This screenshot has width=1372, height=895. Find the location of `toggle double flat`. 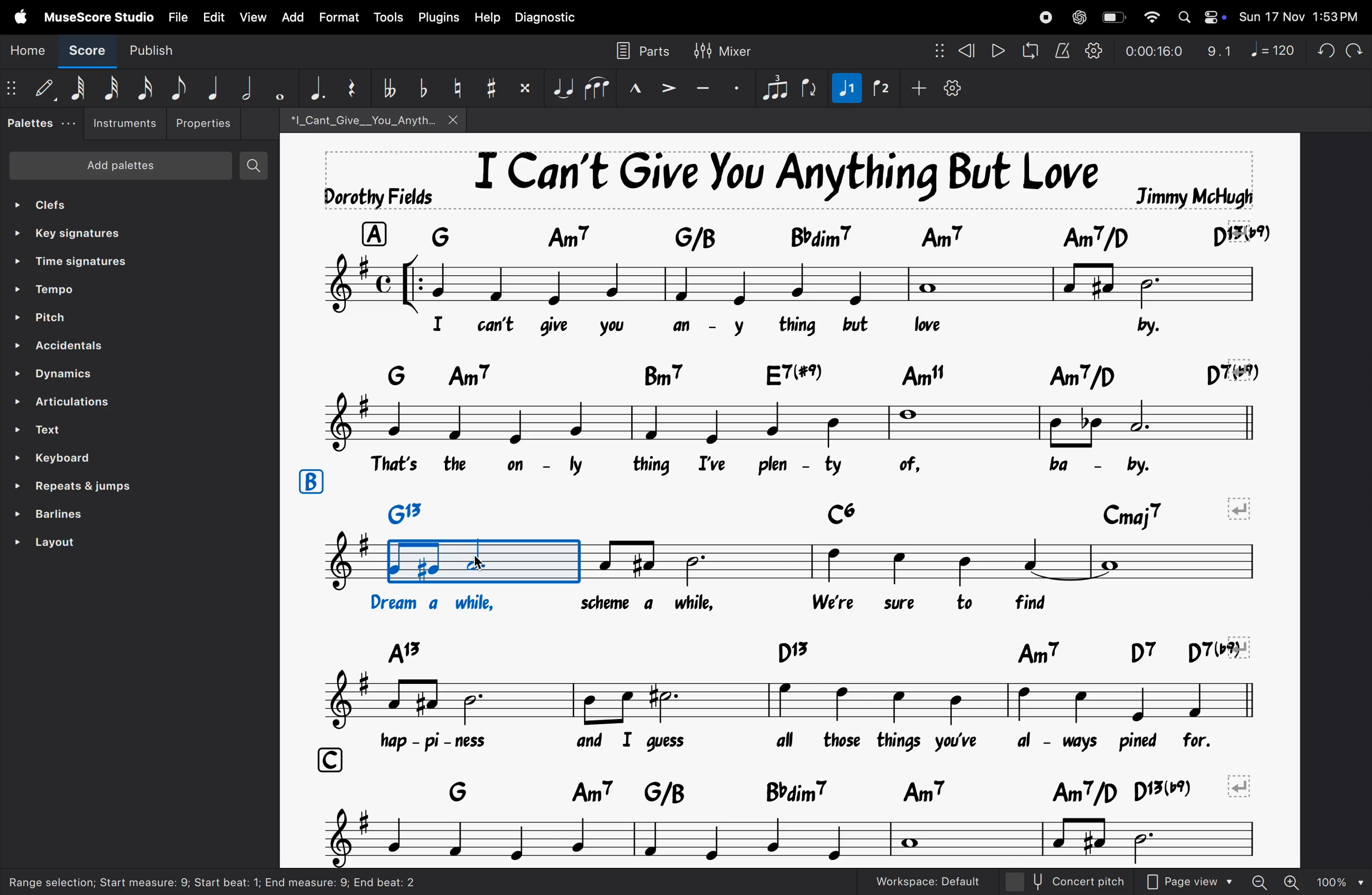

toggle double flat is located at coordinates (388, 88).